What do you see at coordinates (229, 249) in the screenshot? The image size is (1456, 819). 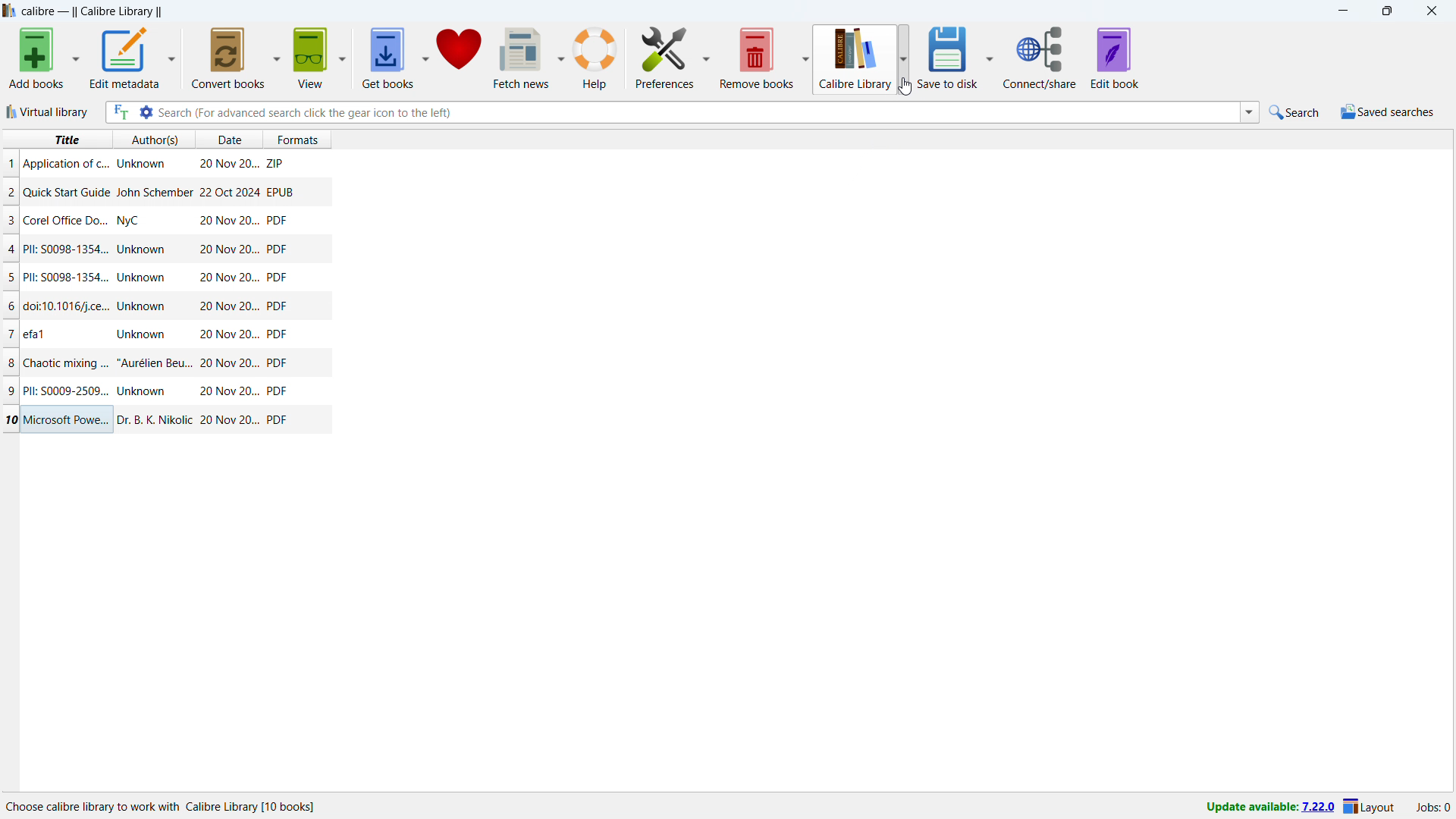 I see `Date` at bounding box center [229, 249].